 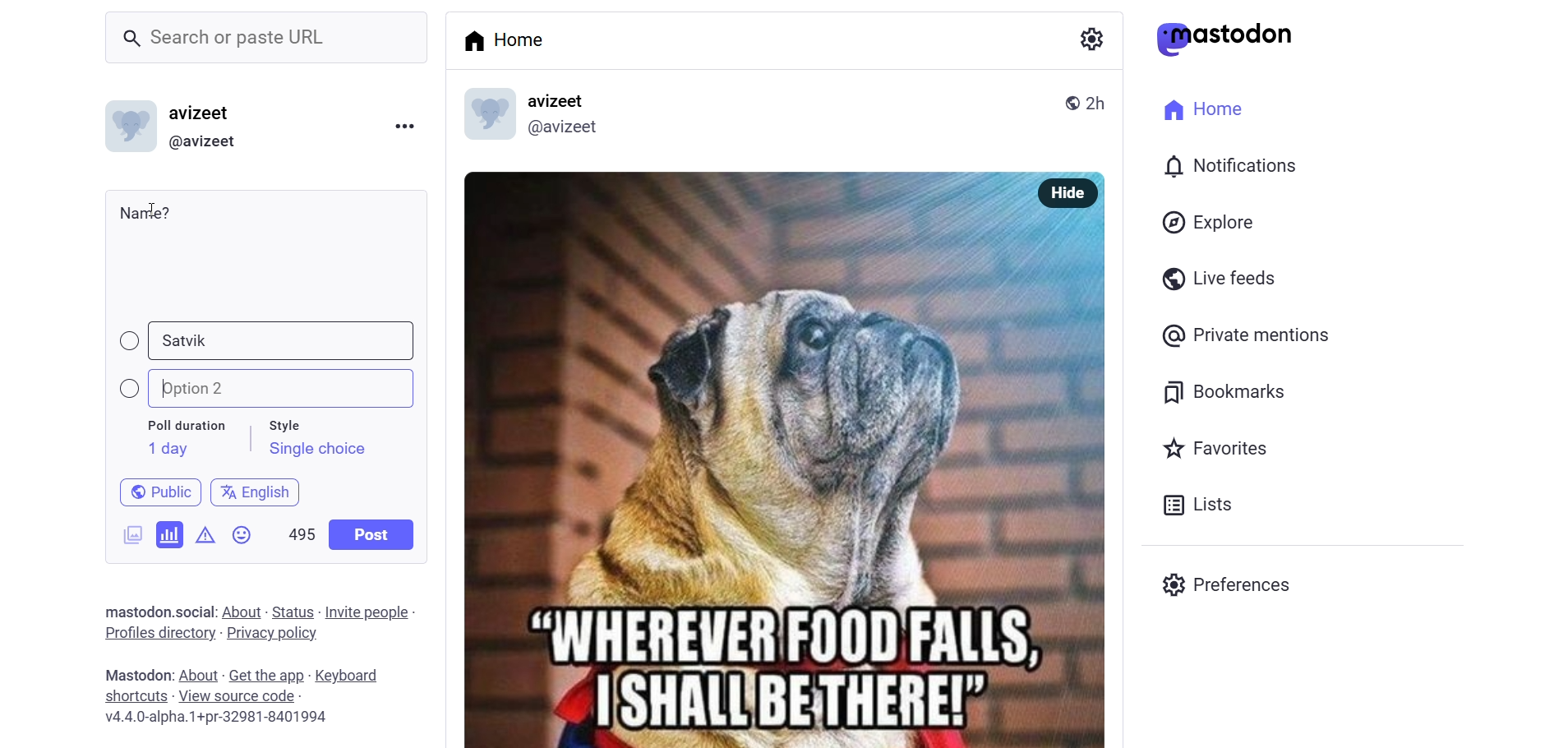 I want to click on invite people, so click(x=371, y=612).